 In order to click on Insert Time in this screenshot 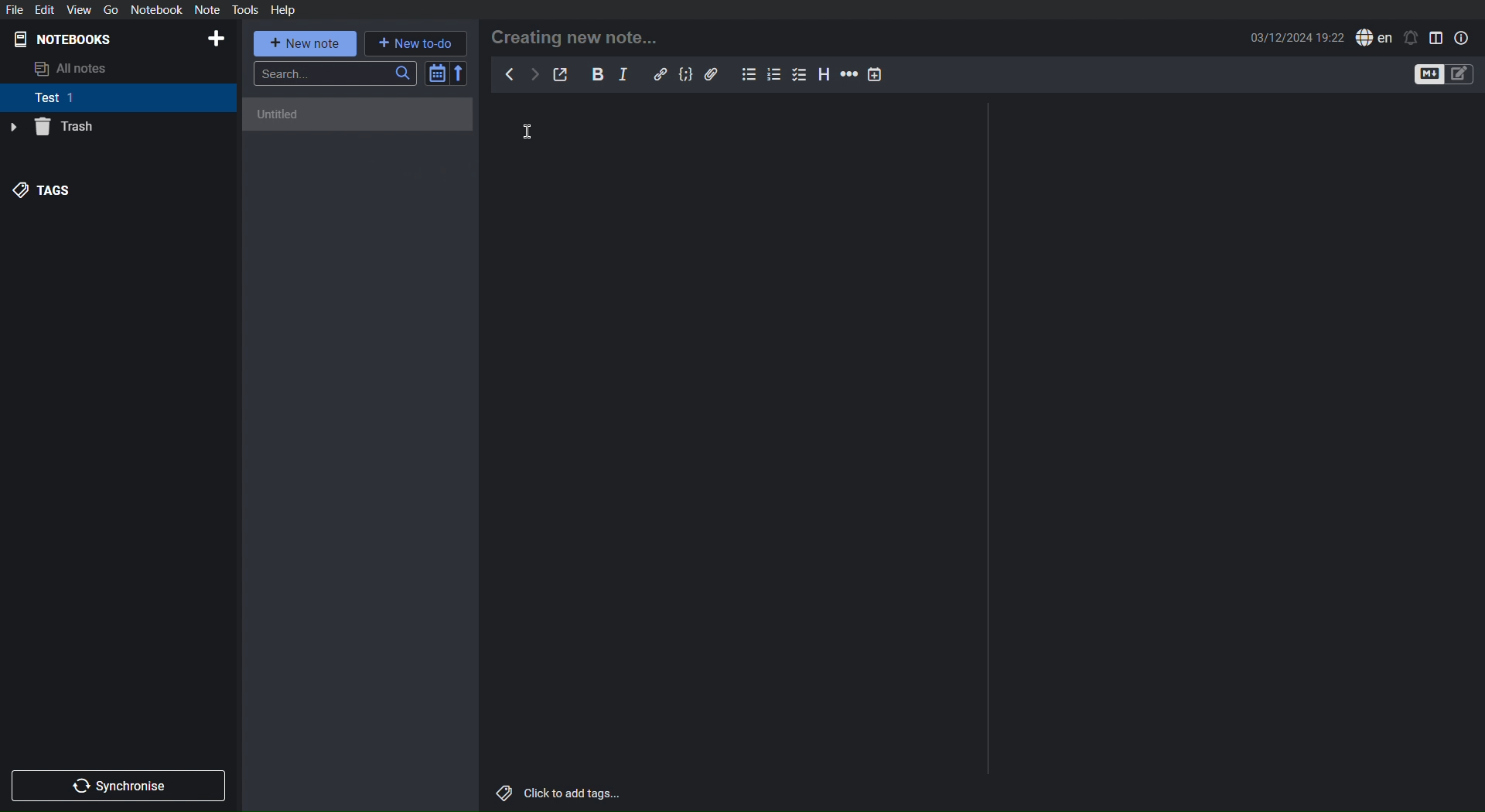, I will do `click(875, 75)`.